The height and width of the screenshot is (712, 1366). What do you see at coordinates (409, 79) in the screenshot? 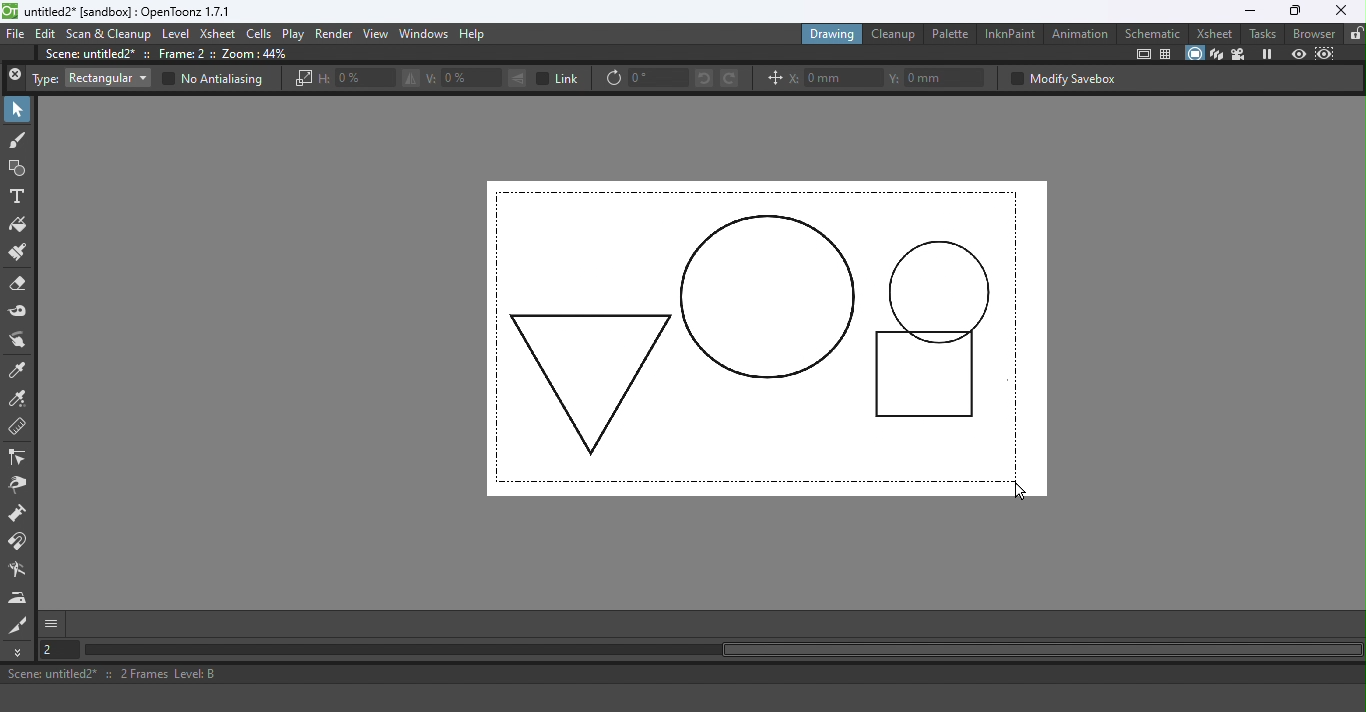
I see `Flip selection horizontally` at bounding box center [409, 79].